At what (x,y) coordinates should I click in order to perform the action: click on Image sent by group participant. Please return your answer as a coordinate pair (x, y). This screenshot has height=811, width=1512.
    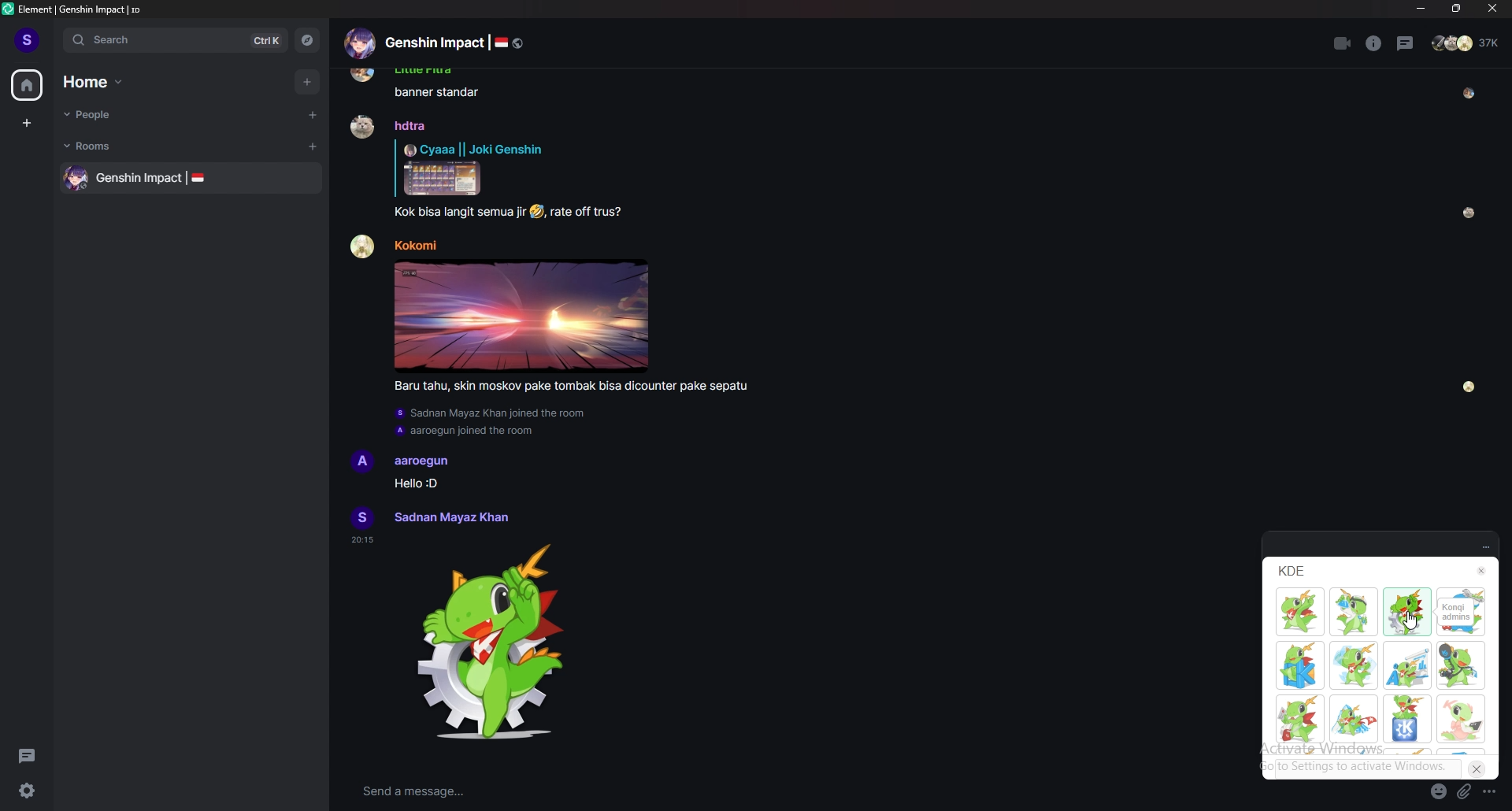
    Looking at the image, I should click on (521, 316).